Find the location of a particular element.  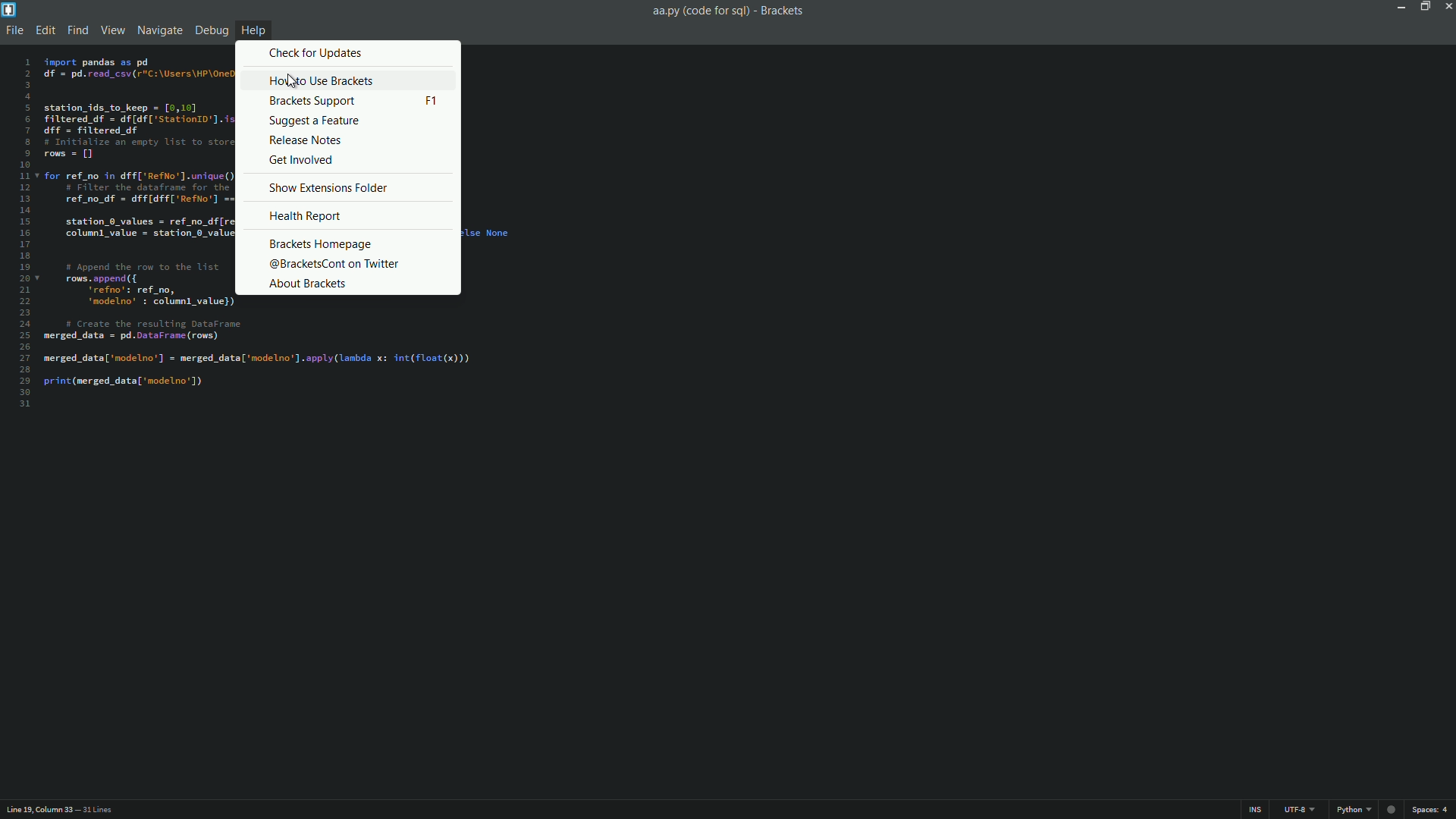

line number is located at coordinates (24, 234).